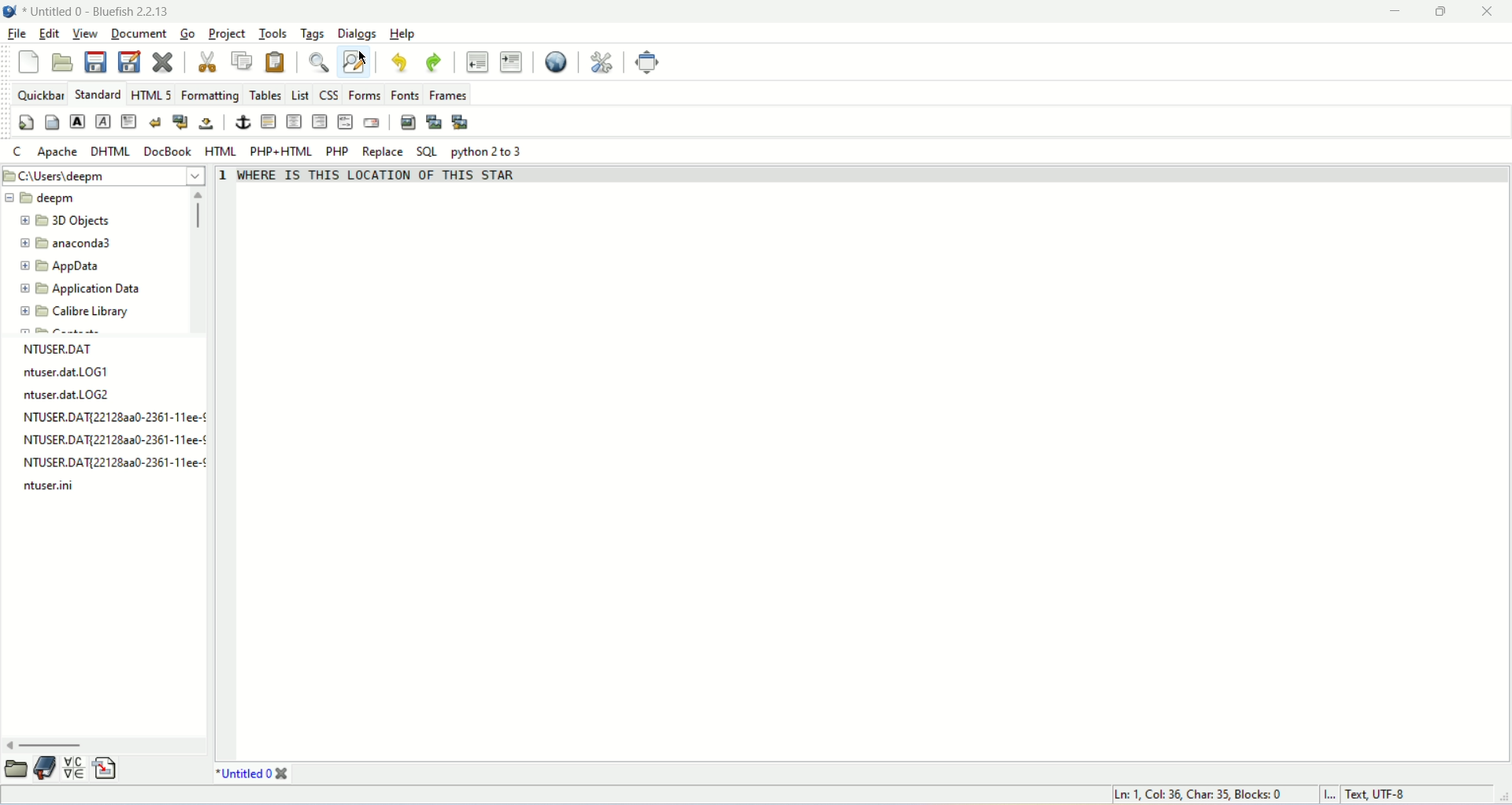  I want to click on horizontal rule, so click(270, 121).